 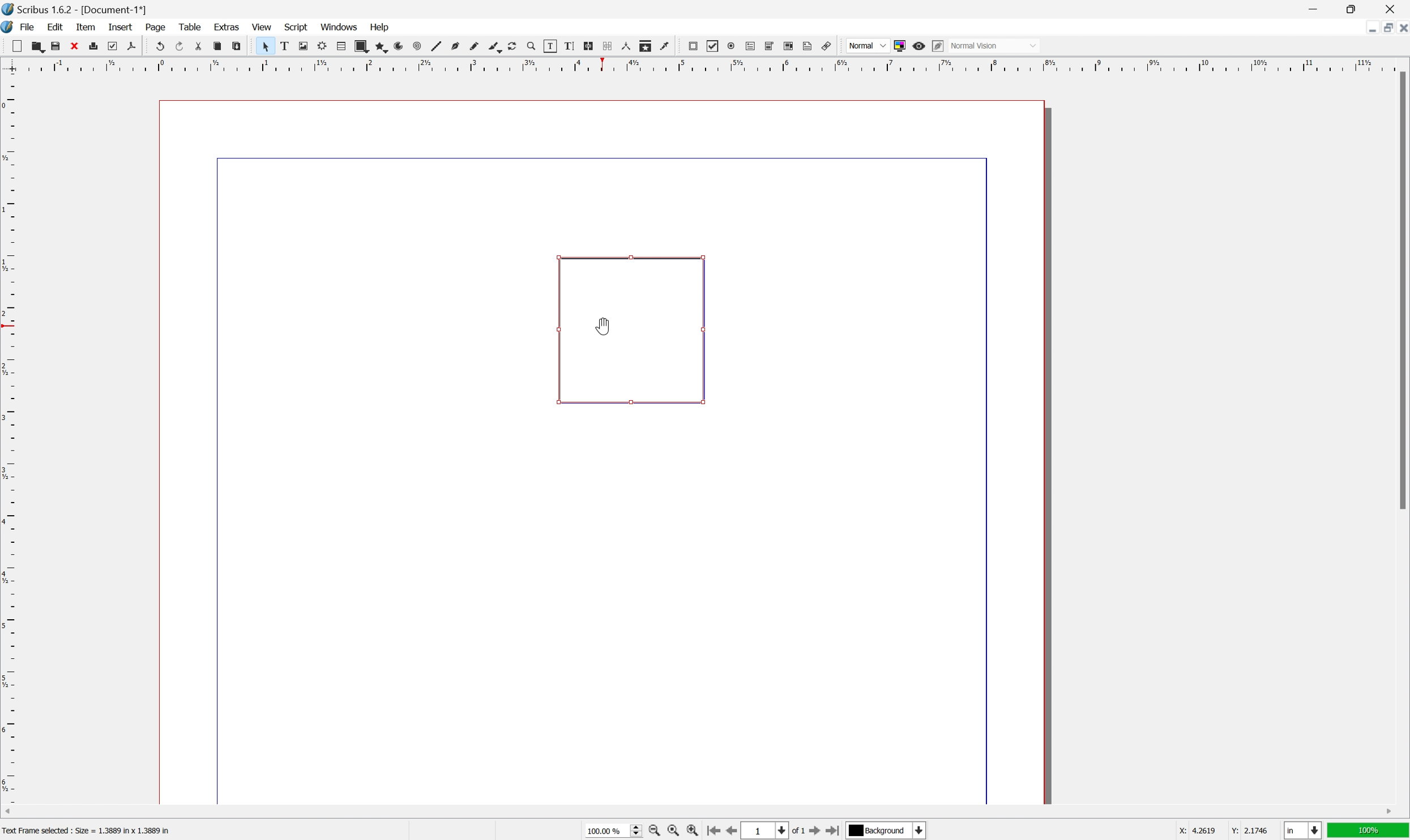 I want to click on zoom to 100%, so click(x=673, y=831).